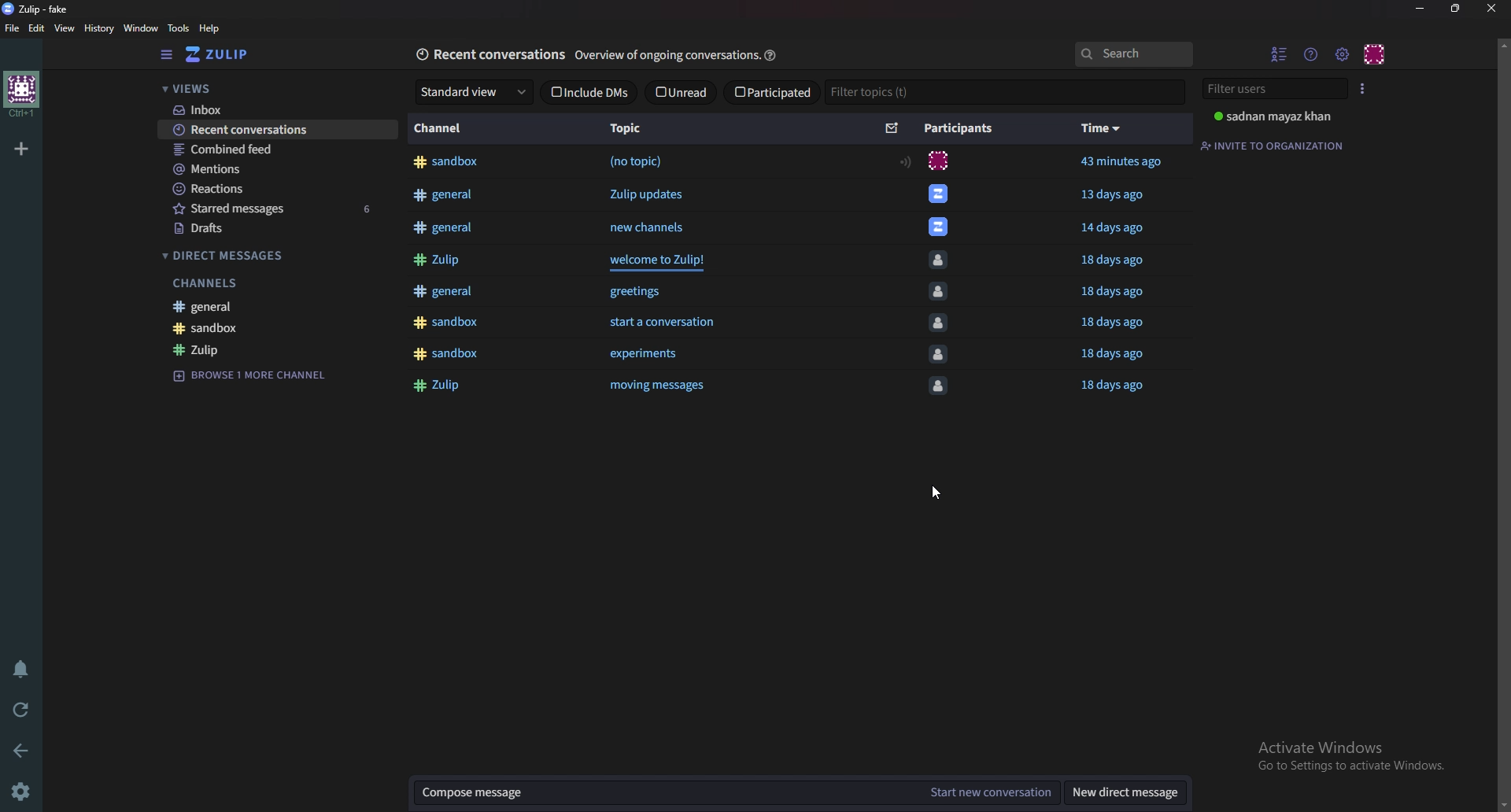 This screenshot has width=1511, height=812. What do you see at coordinates (667, 57) in the screenshot?
I see `Overview of ongoing conversations` at bounding box center [667, 57].